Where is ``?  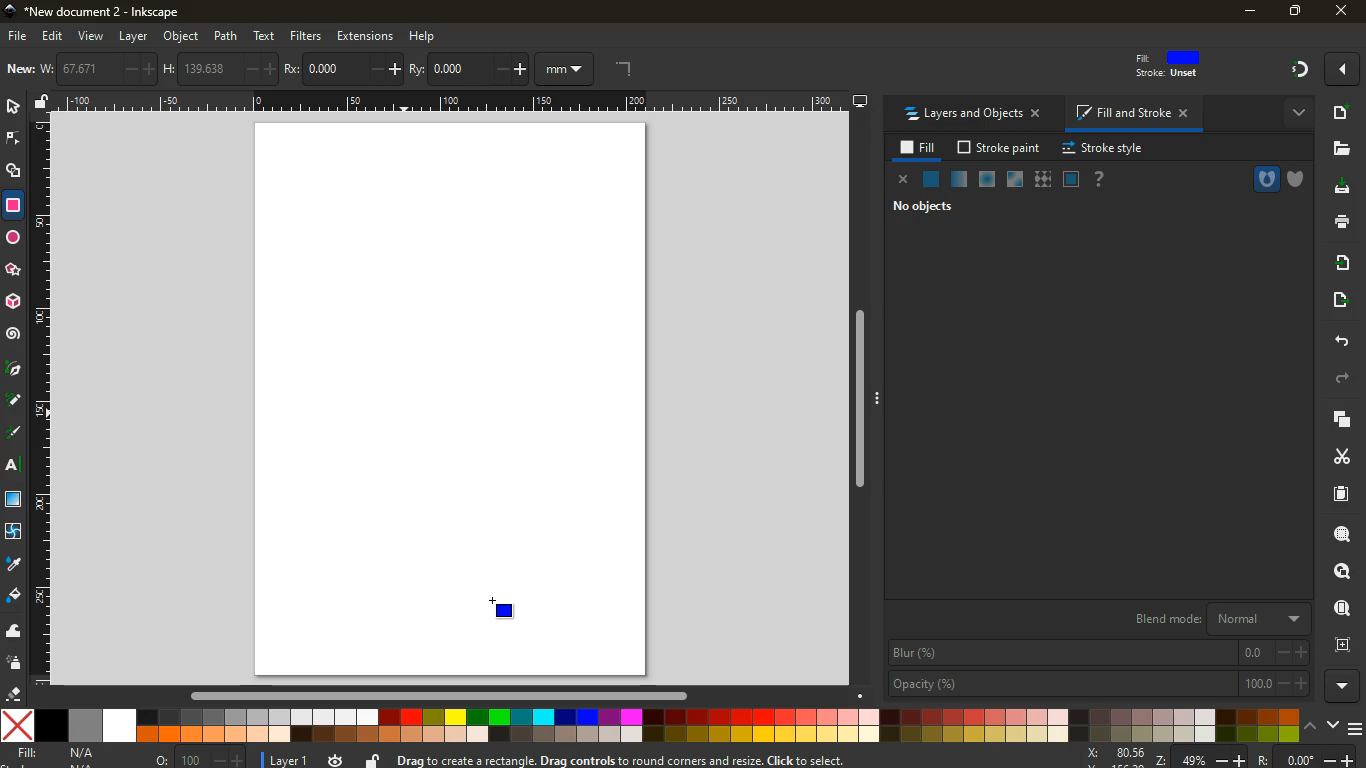  is located at coordinates (13, 240).